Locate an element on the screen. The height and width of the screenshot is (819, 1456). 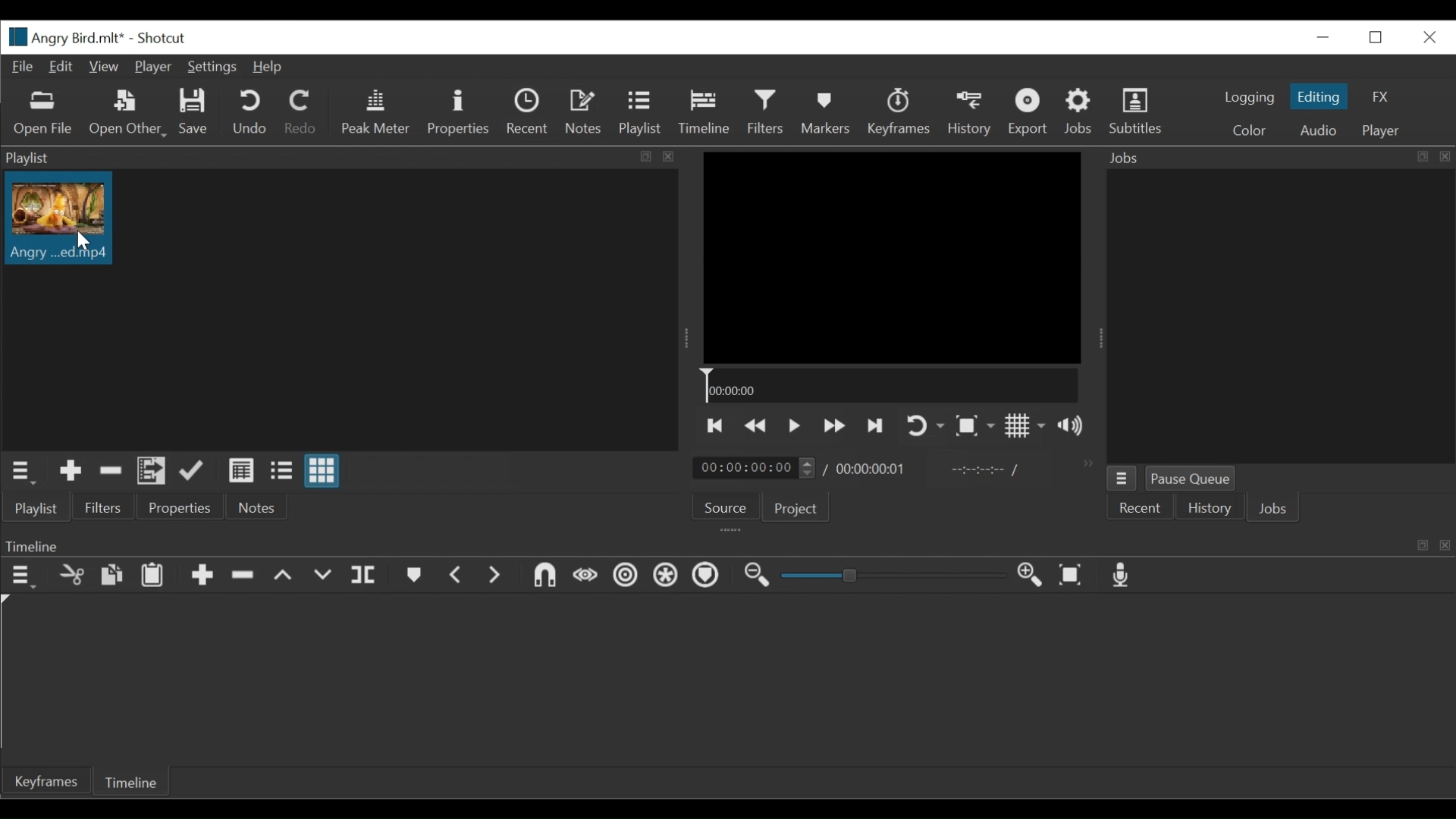
History is located at coordinates (1208, 508).